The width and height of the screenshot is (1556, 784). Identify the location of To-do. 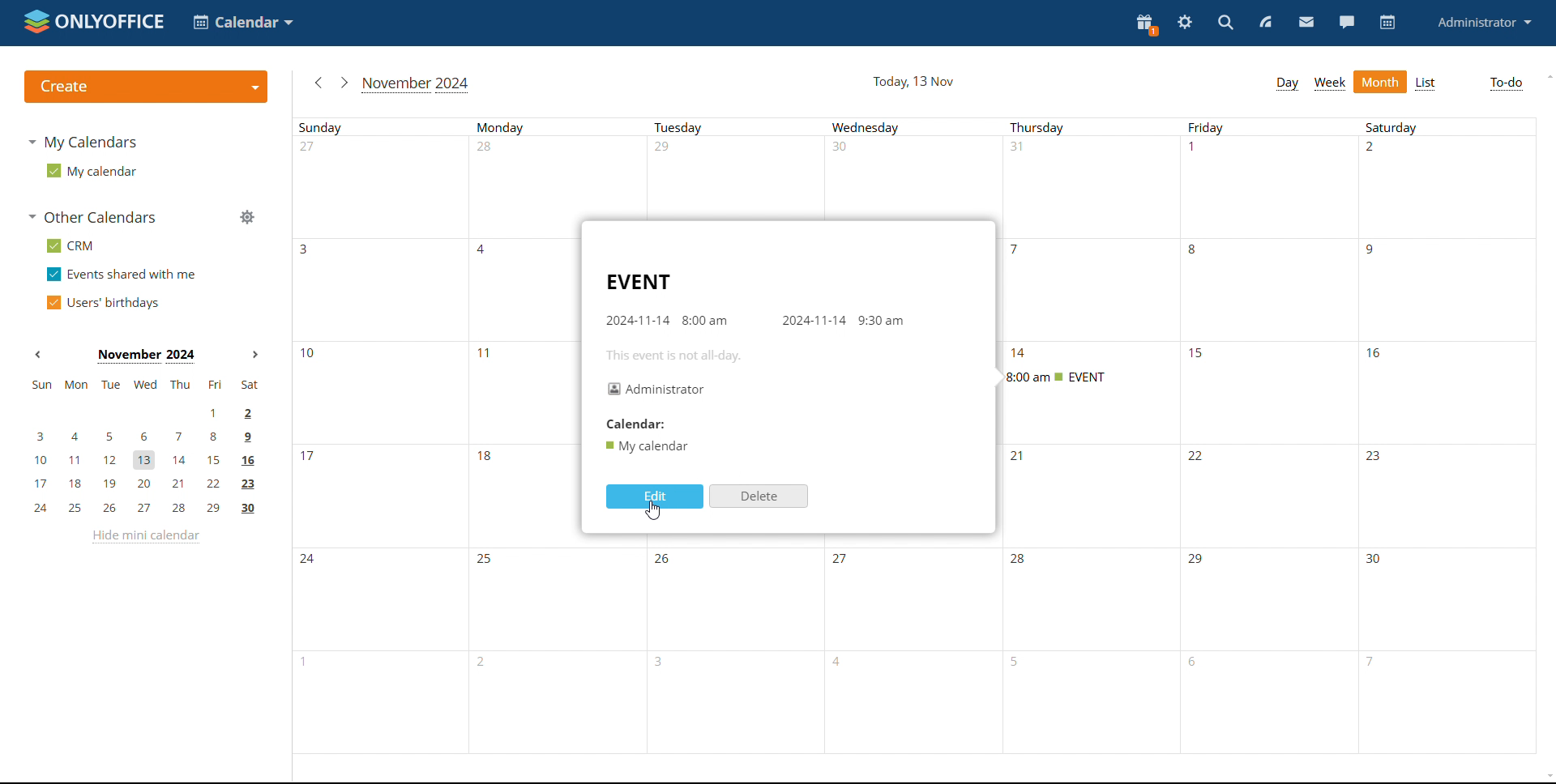
(1506, 83).